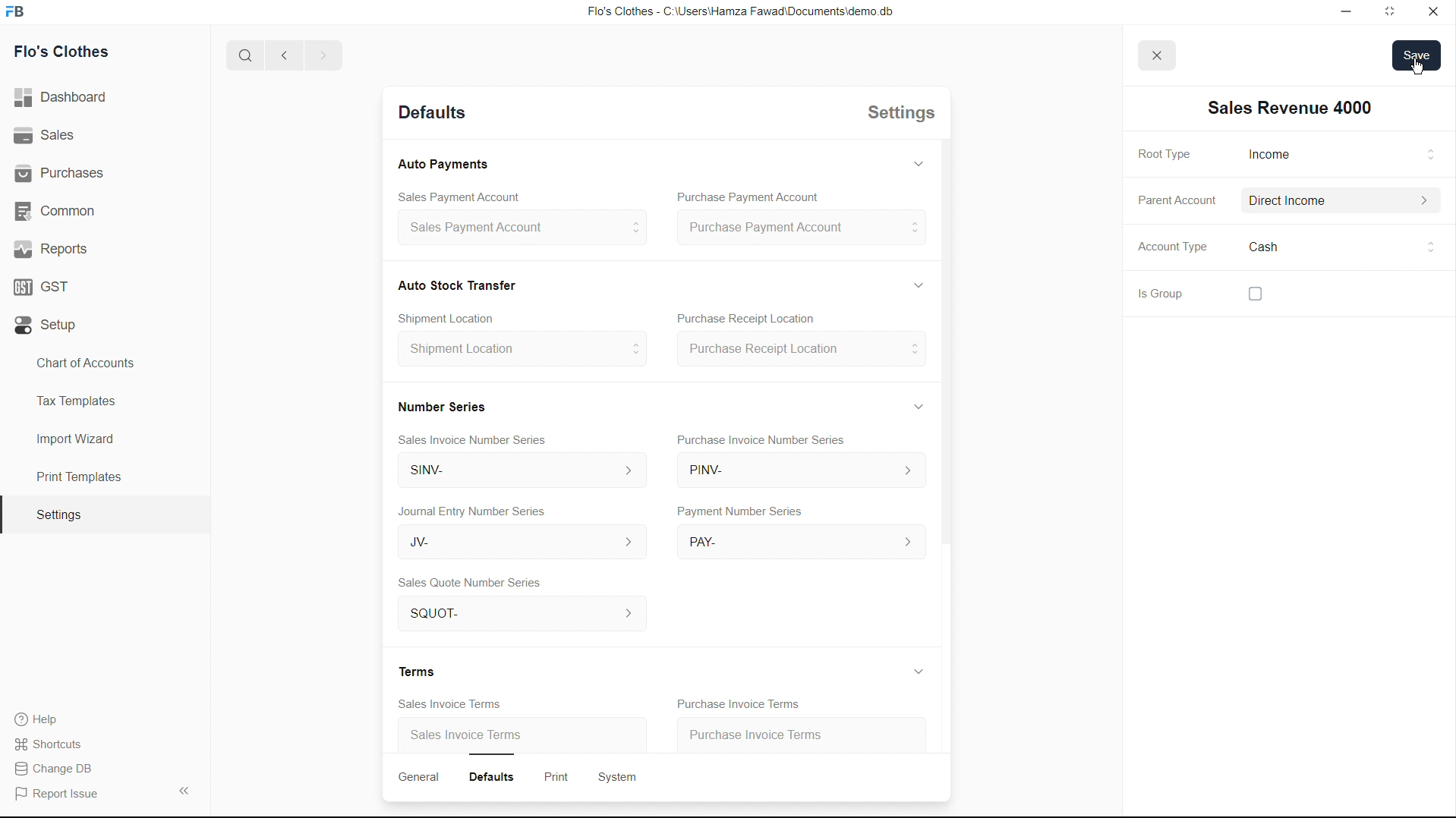 This screenshot has height=818, width=1456. Describe the element at coordinates (764, 319) in the screenshot. I see `Purchase Receipt Location` at that location.